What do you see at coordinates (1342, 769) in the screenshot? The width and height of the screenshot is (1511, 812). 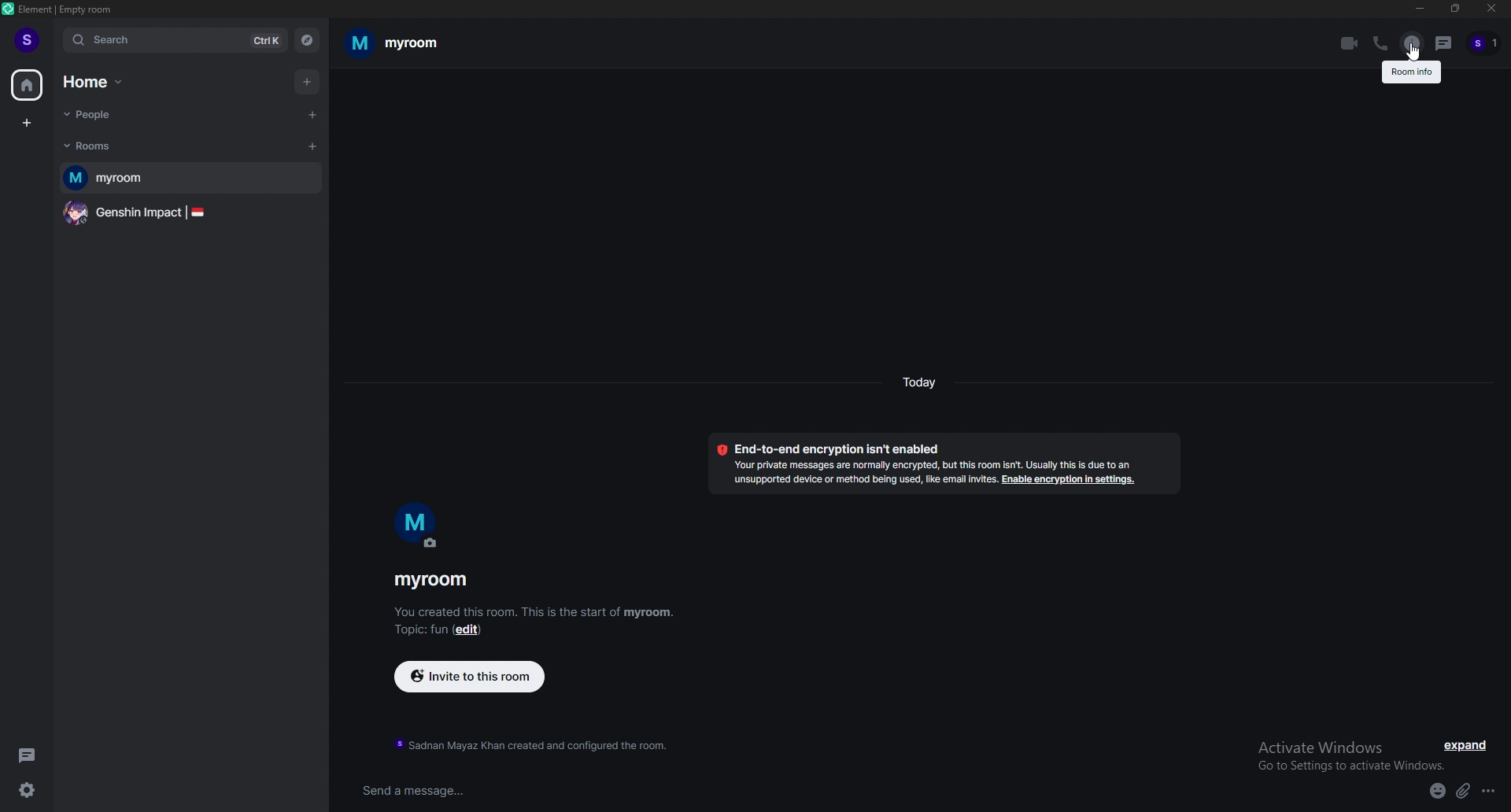 I see `go to settings to activate windows` at bounding box center [1342, 769].